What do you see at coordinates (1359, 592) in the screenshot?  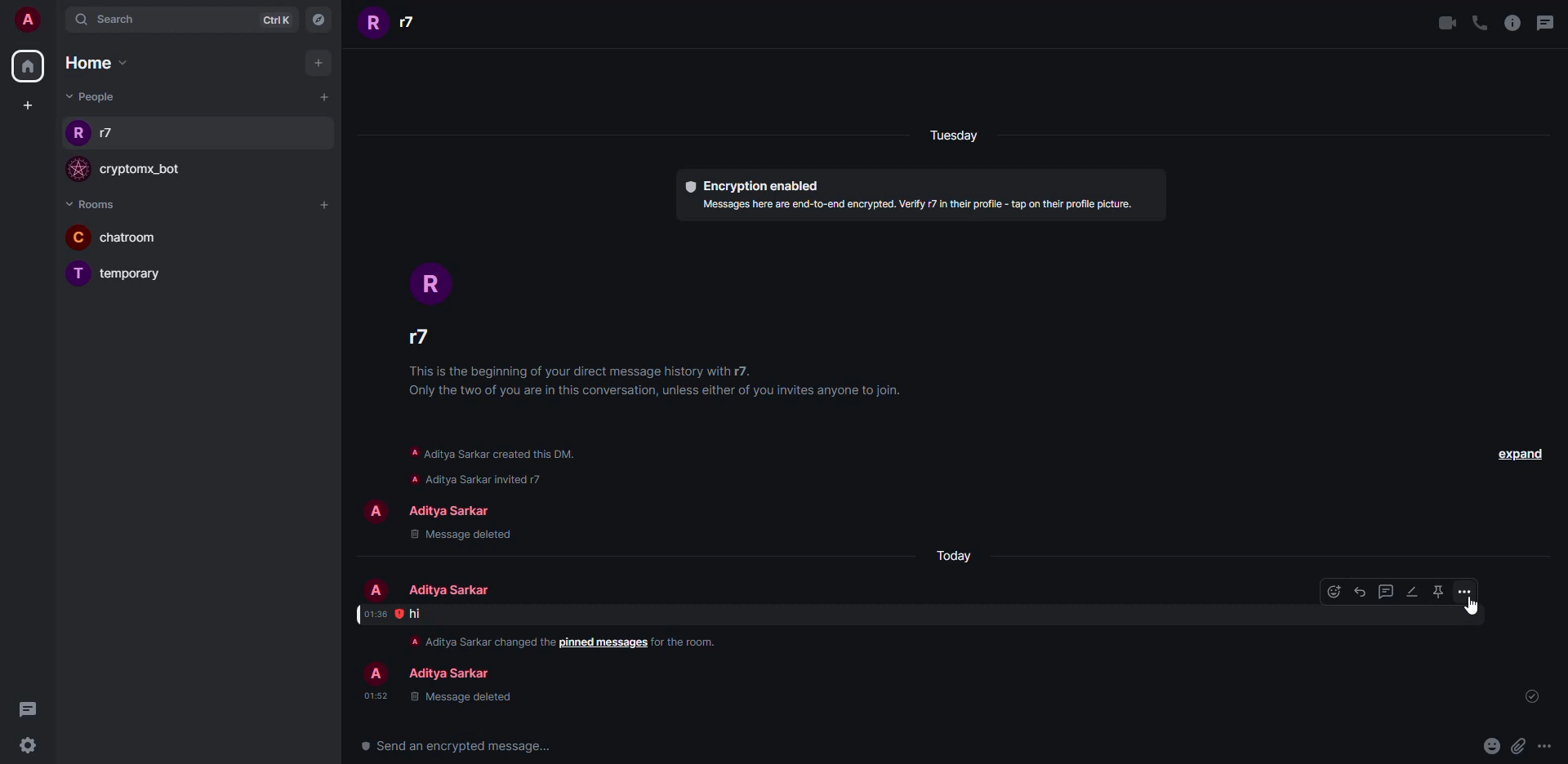 I see `reply` at bounding box center [1359, 592].